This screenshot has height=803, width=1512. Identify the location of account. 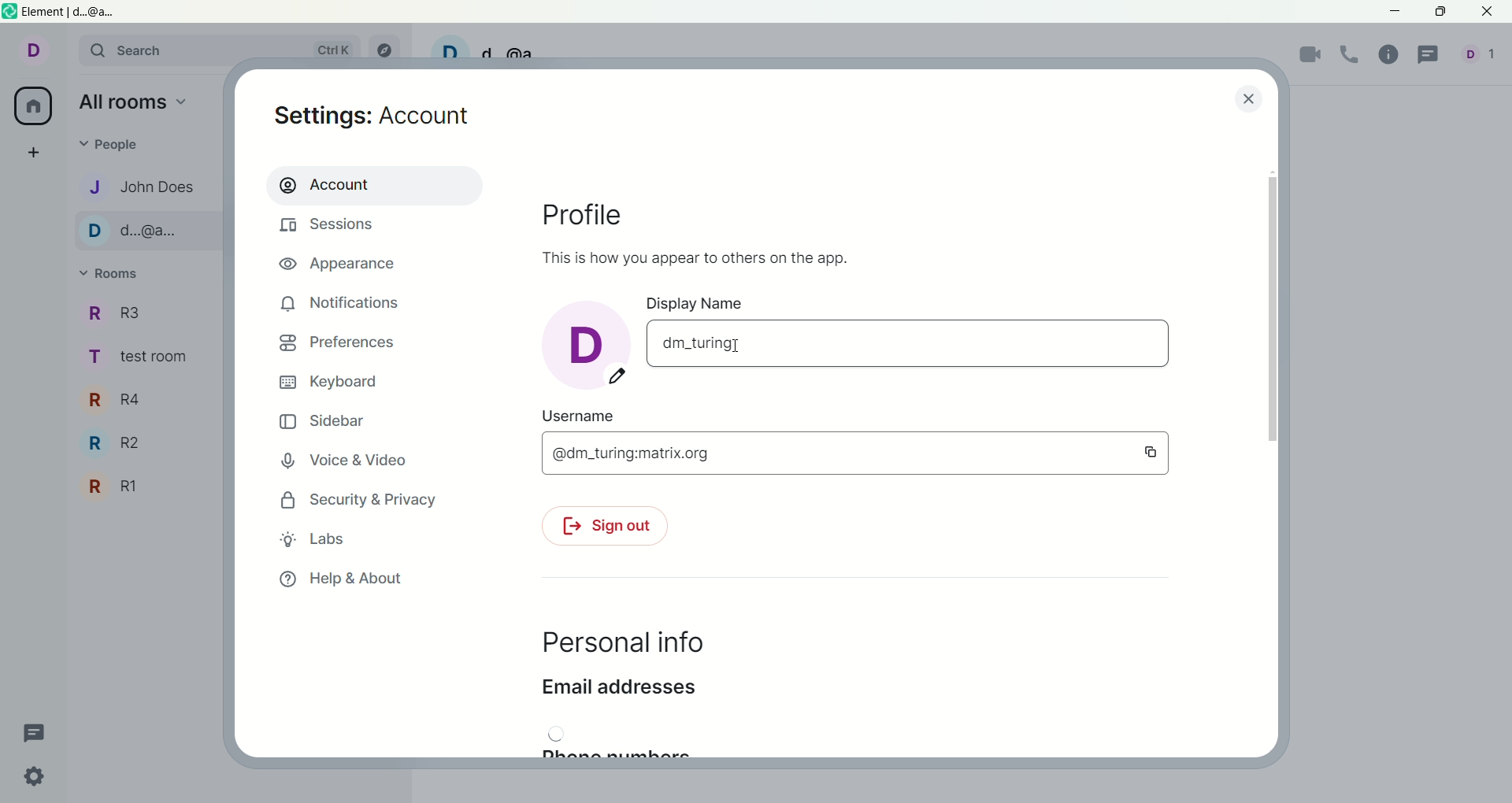
(372, 184).